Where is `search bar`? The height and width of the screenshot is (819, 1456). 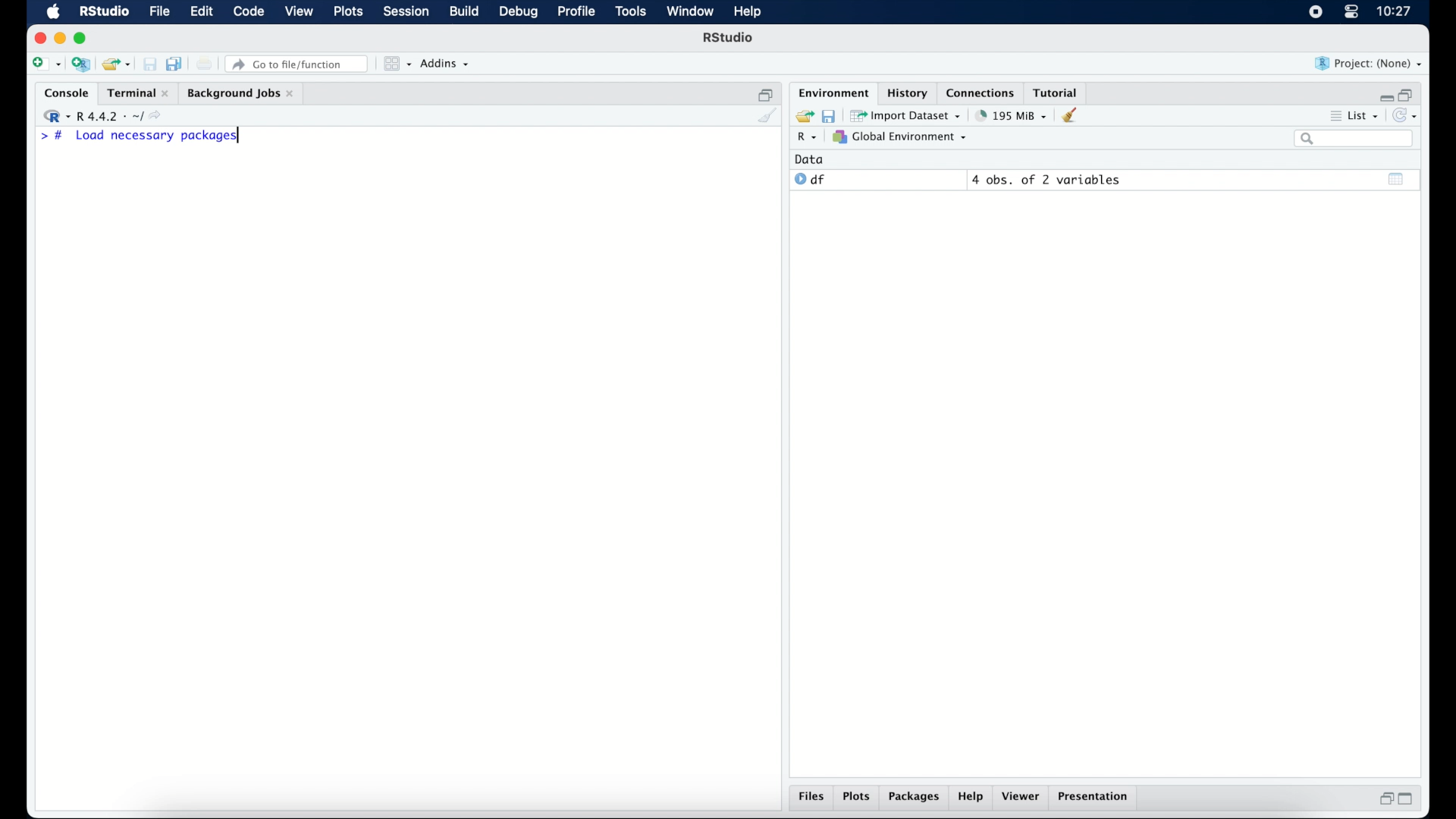
search bar is located at coordinates (1353, 140).